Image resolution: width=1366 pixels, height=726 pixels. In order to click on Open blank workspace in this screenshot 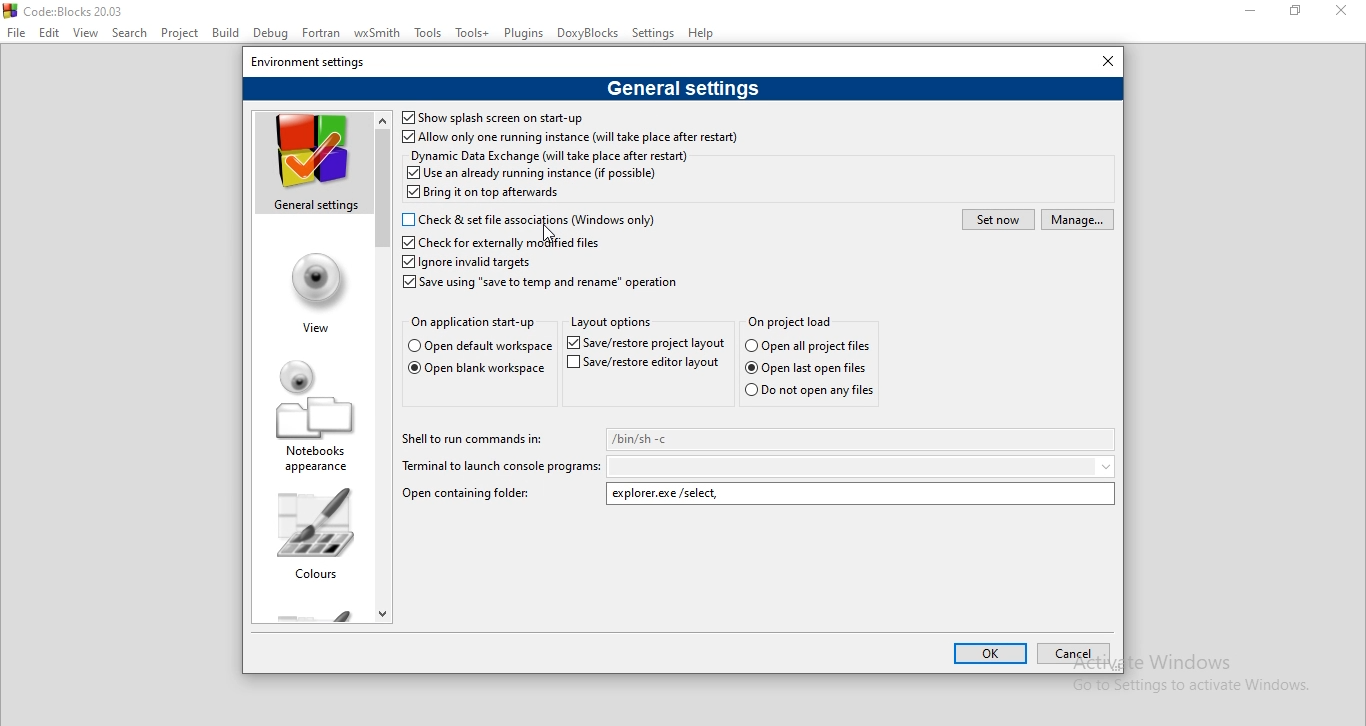, I will do `click(475, 371)`.